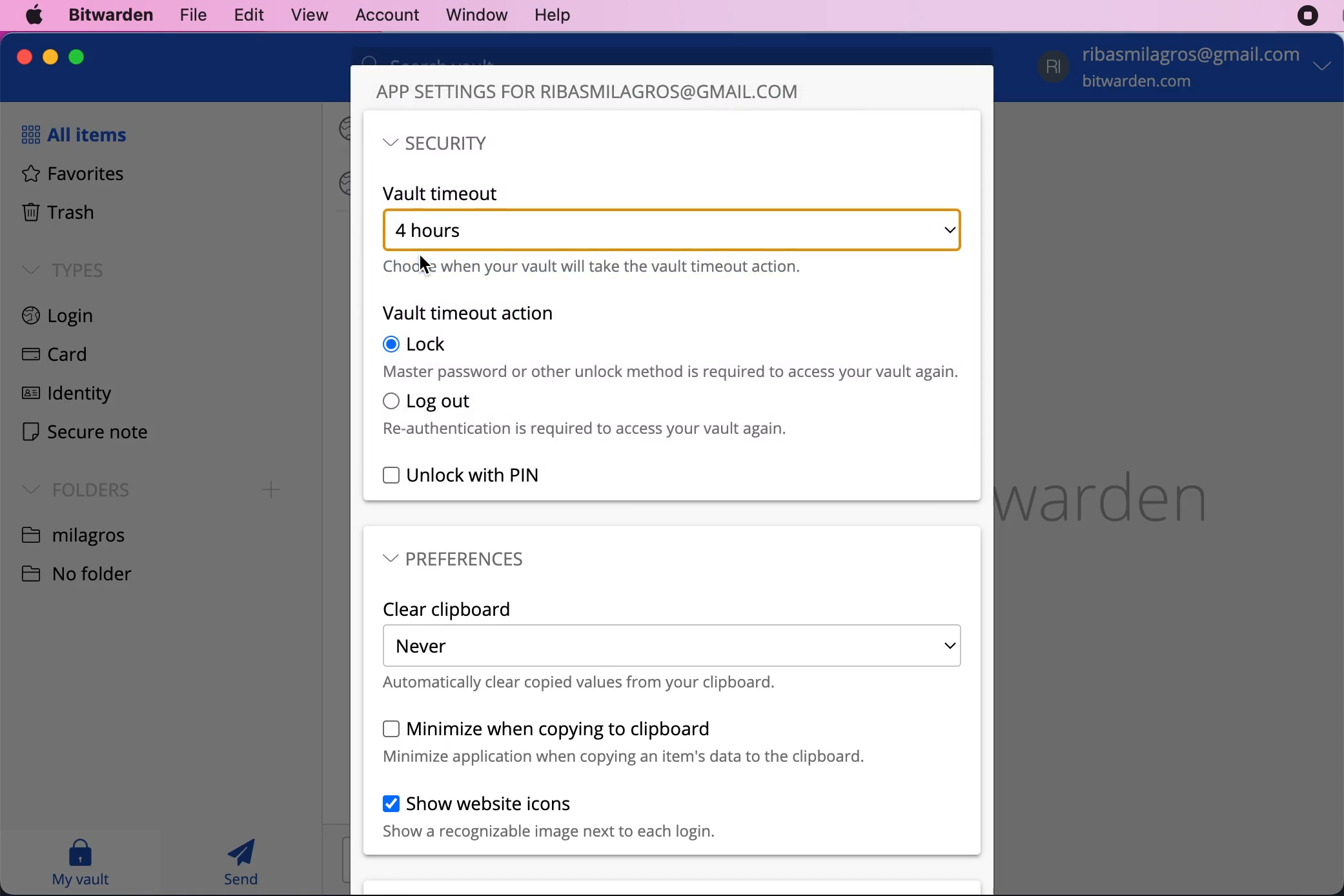 This screenshot has width=1344, height=896. Describe the element at coordinates (190, 14) in the screenshot. I see `file` at that location.